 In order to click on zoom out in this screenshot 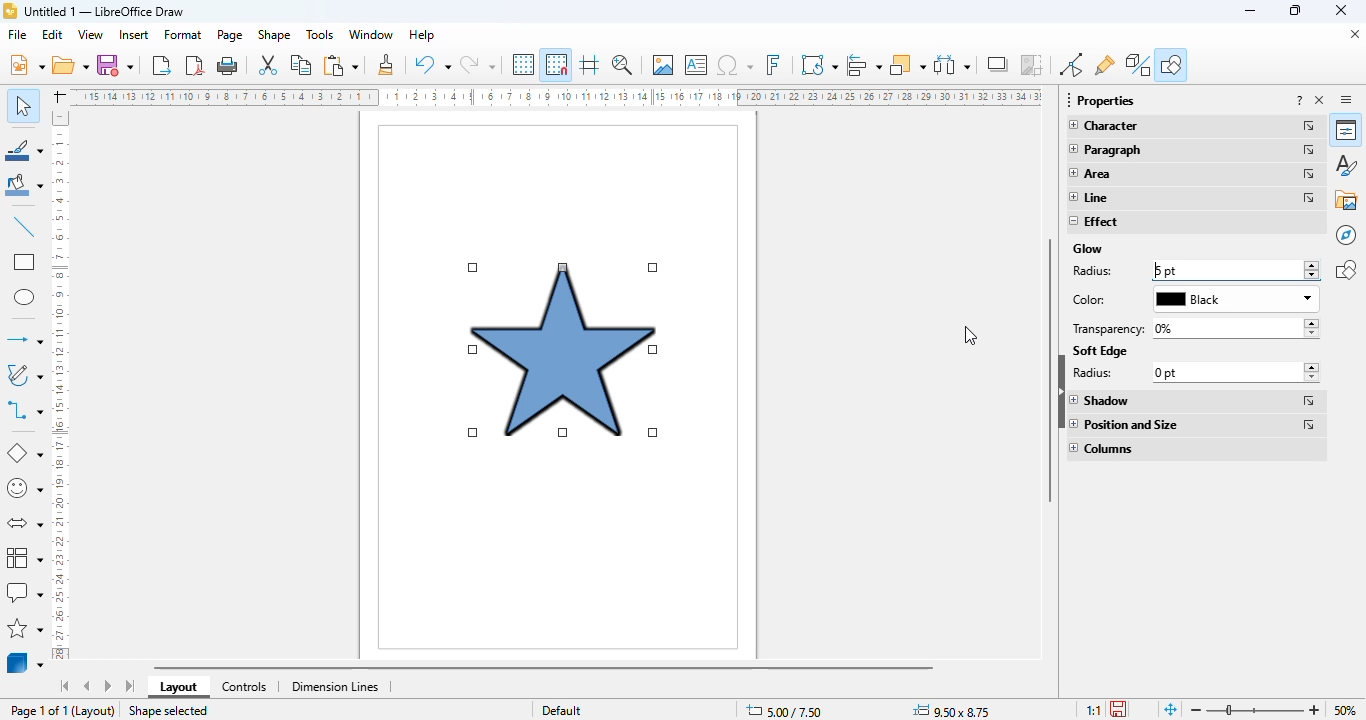, I will do `click(1315, 709)`.